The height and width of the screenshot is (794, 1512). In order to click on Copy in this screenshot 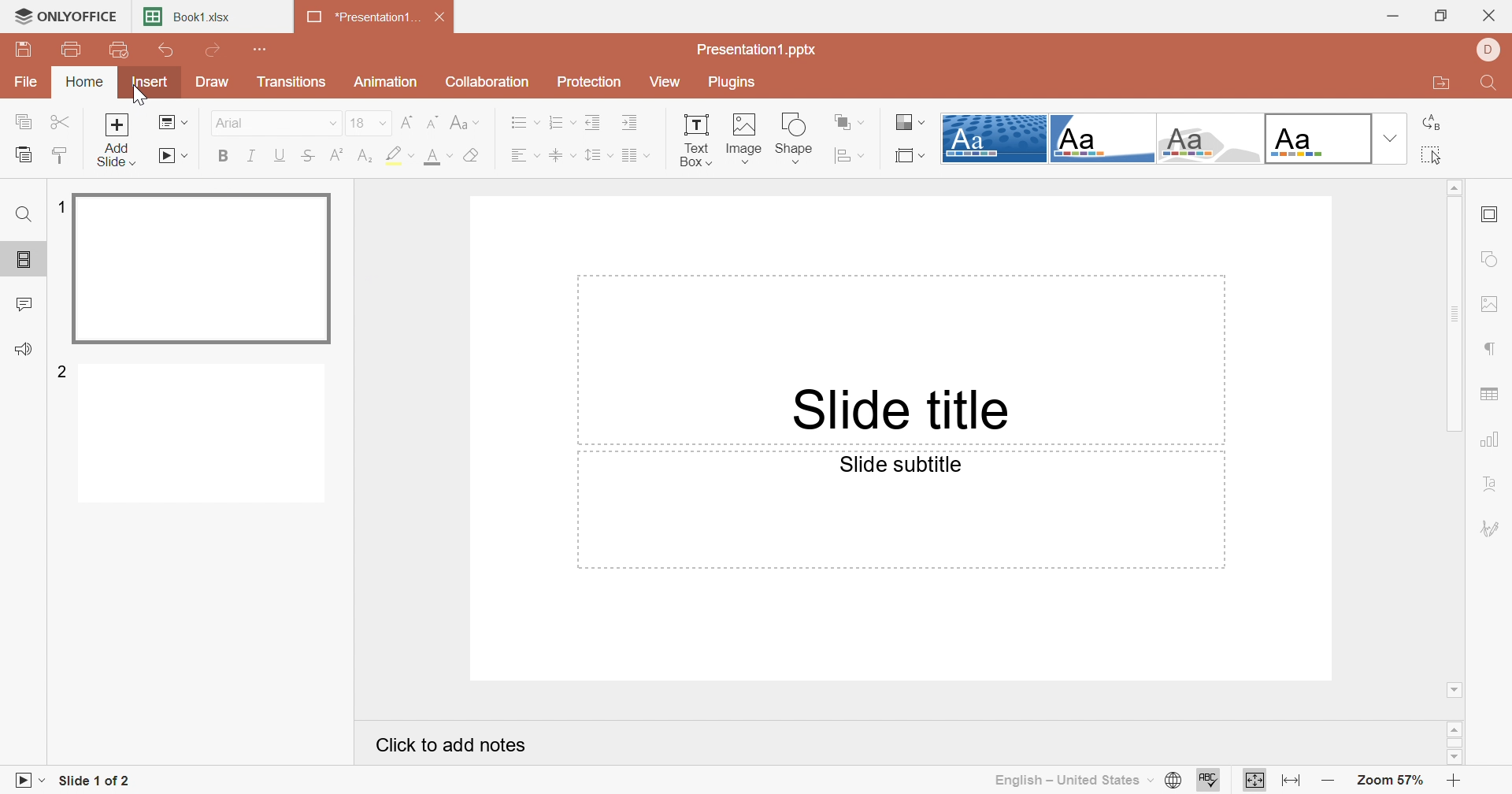, I will do `click(22, 123)`.